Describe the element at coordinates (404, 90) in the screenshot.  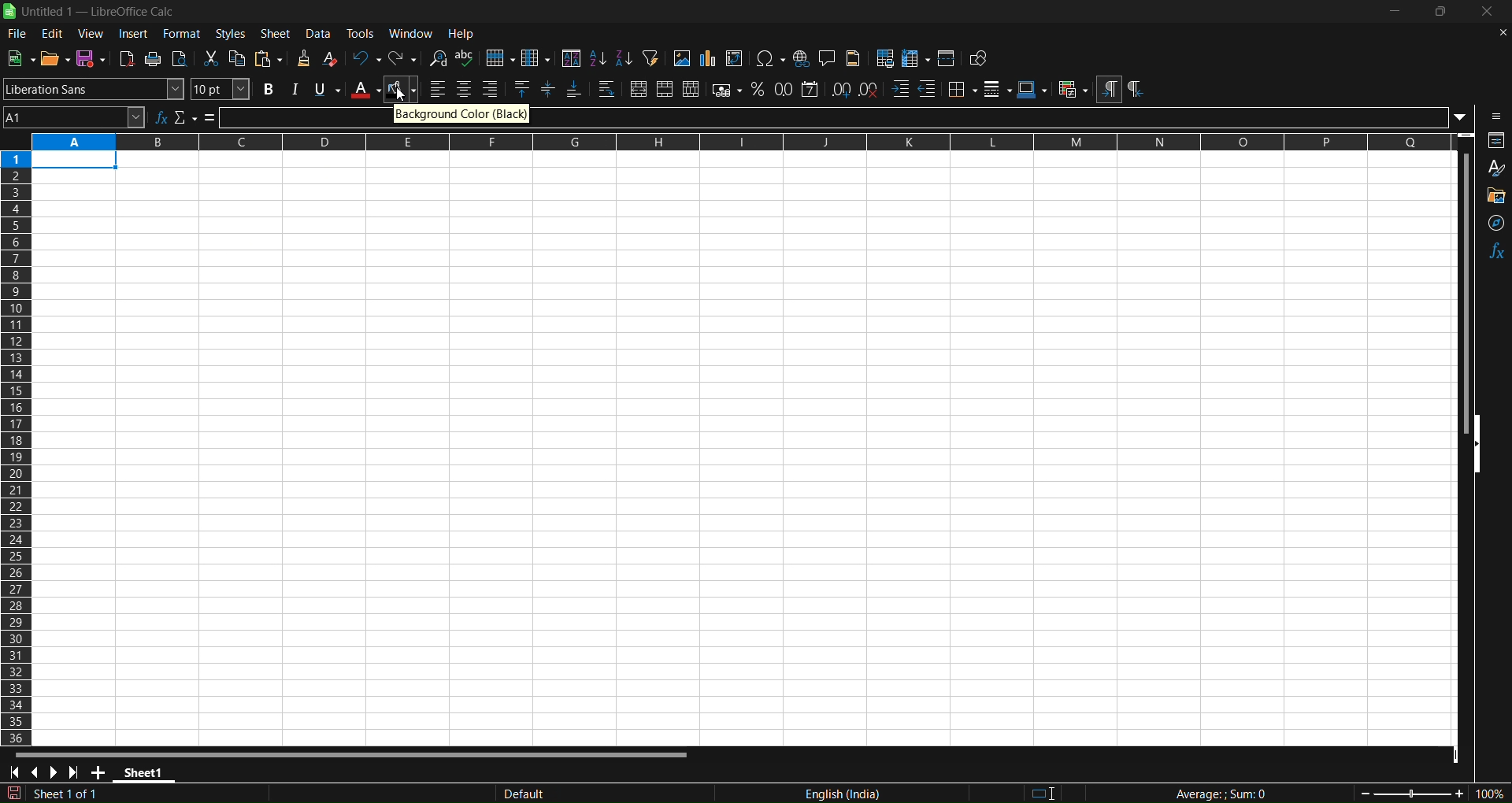
I see `background color black` at that location.